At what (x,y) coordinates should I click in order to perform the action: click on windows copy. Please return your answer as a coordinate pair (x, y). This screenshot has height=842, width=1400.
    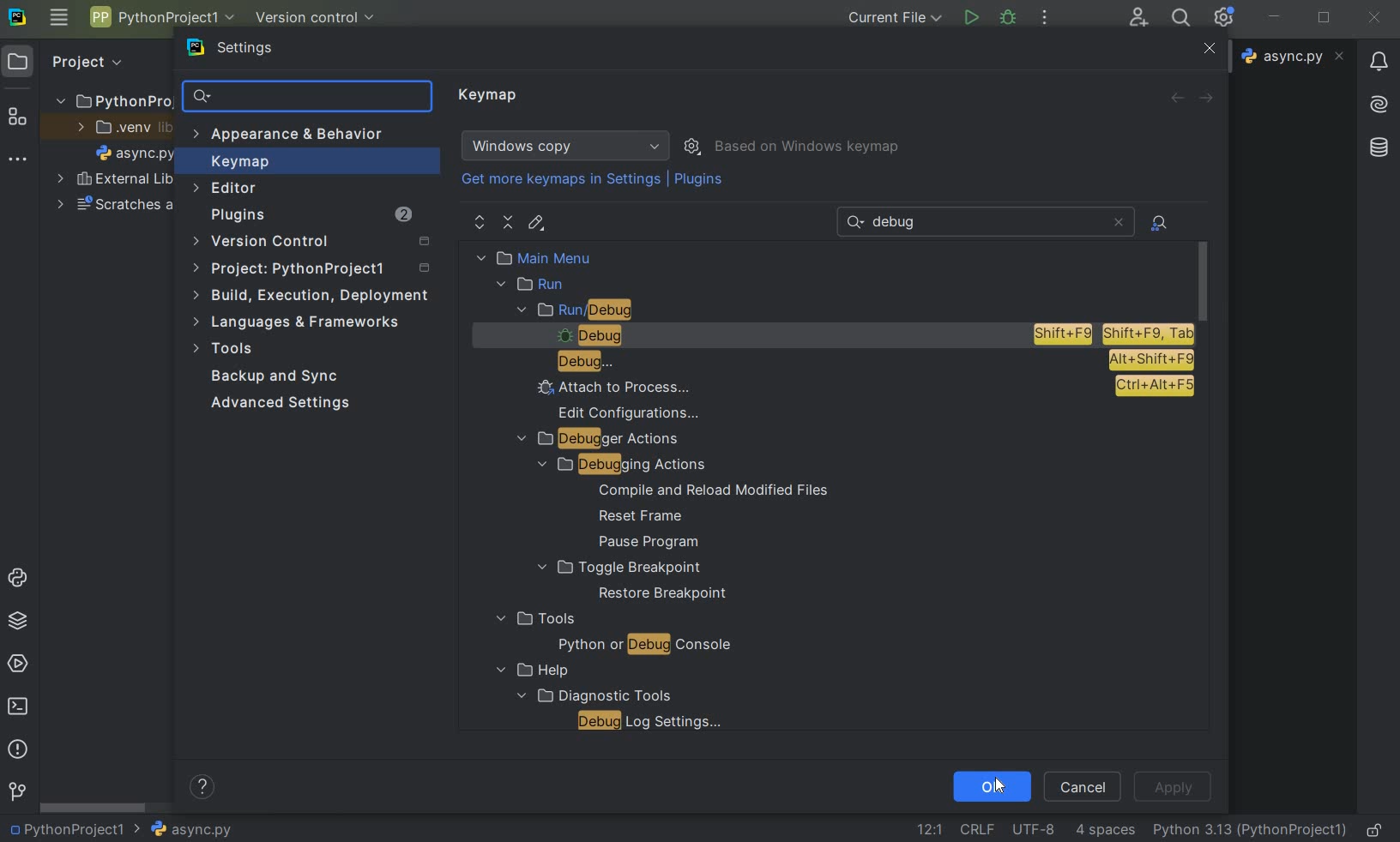
    Looking at the image, I should click on (568, 146).